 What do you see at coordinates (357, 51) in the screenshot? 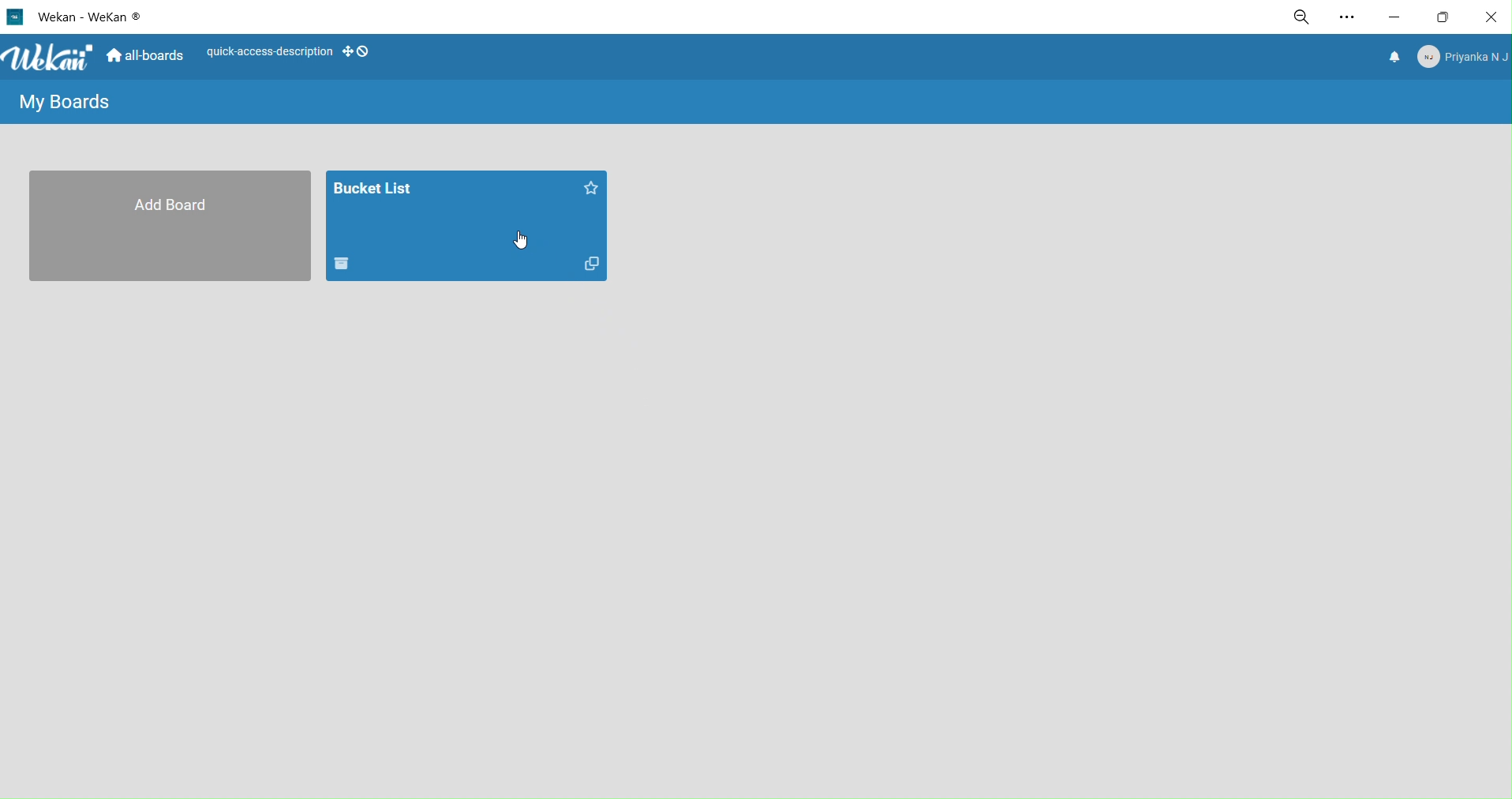
I see `show desktop draghandles` at bounding box center [357, 51].